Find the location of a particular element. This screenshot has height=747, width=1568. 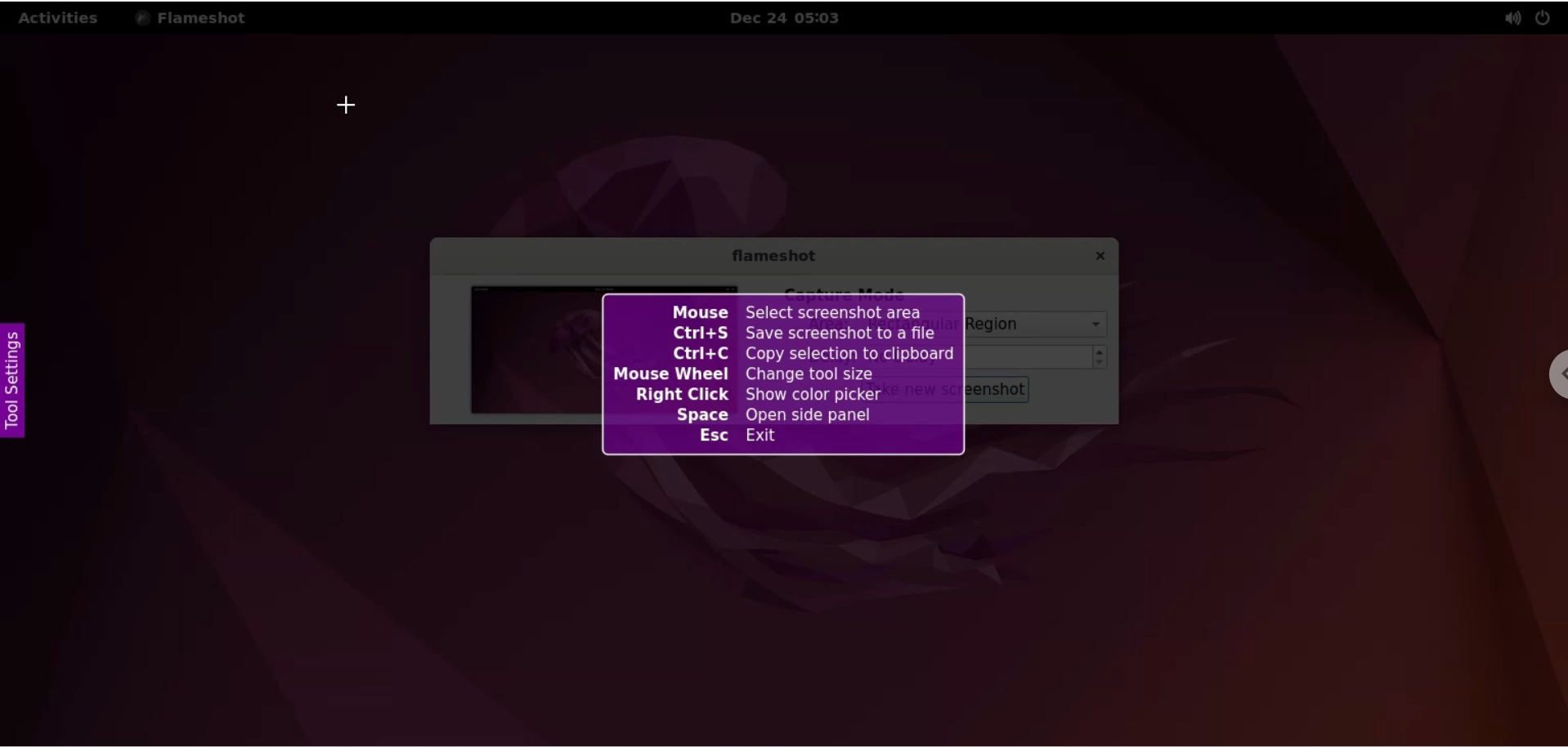

activities  is located at coordinates (60, 18).